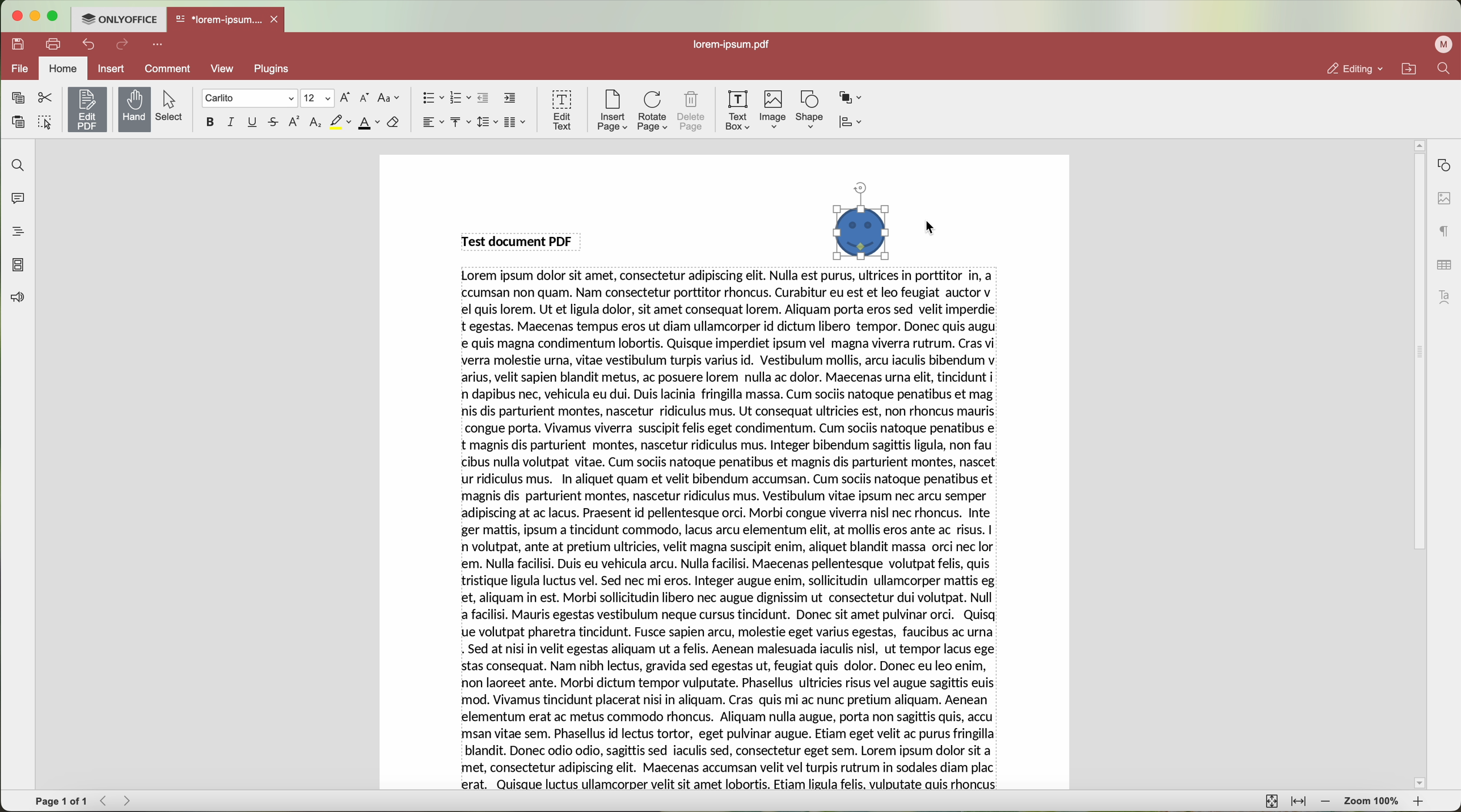 This screenshot has height=812, width=1461. I want to click on close program, so click(18, 16).